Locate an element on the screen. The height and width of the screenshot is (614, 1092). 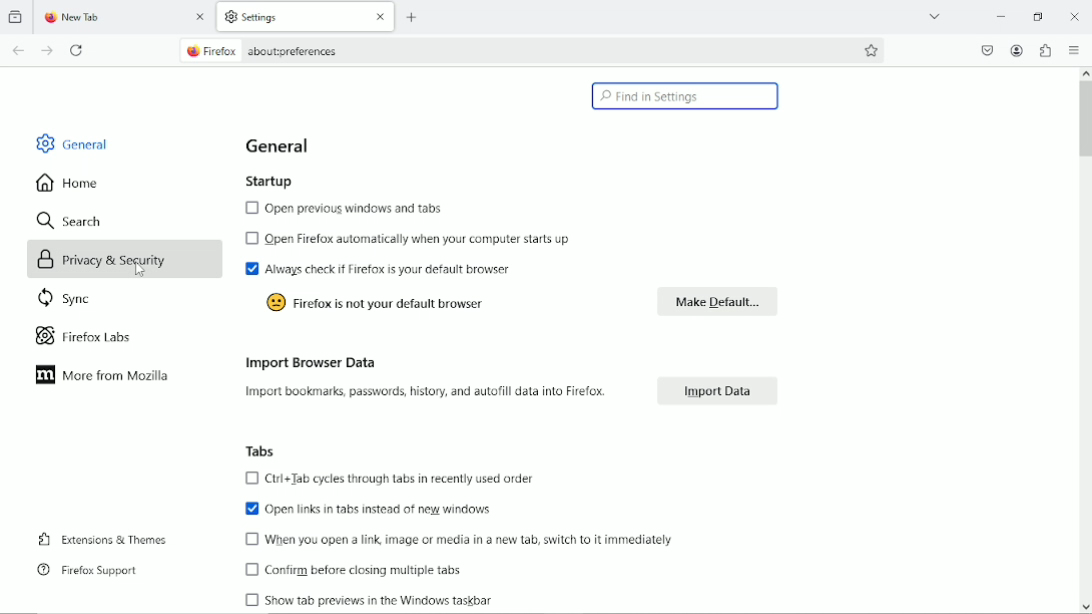
go forward is located at coordinates (48, 51).